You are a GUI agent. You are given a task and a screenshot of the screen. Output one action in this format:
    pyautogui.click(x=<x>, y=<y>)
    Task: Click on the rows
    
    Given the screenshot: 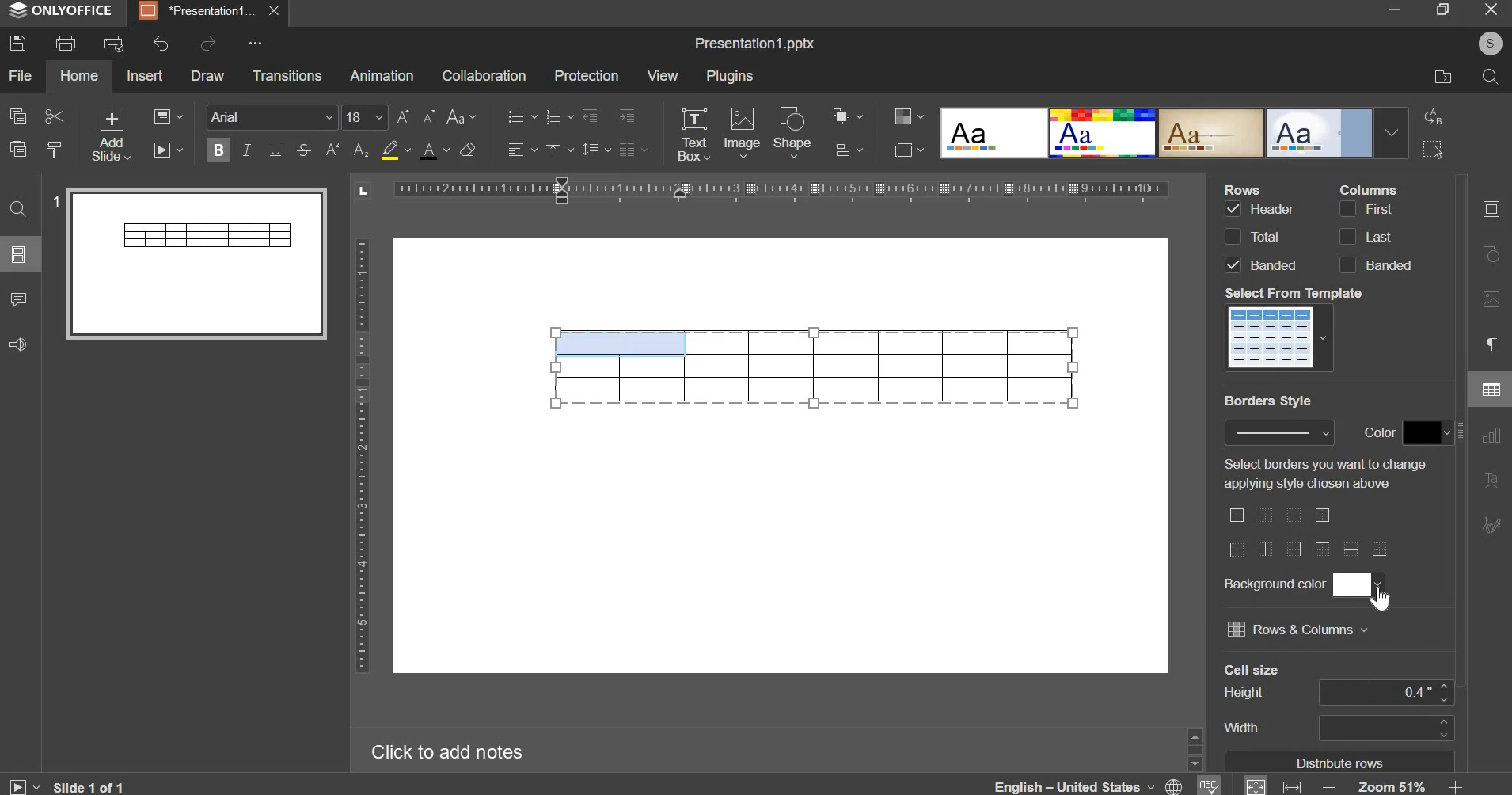 What is the action you would take?
    pyautogui.click(x=1259, y=236)
    